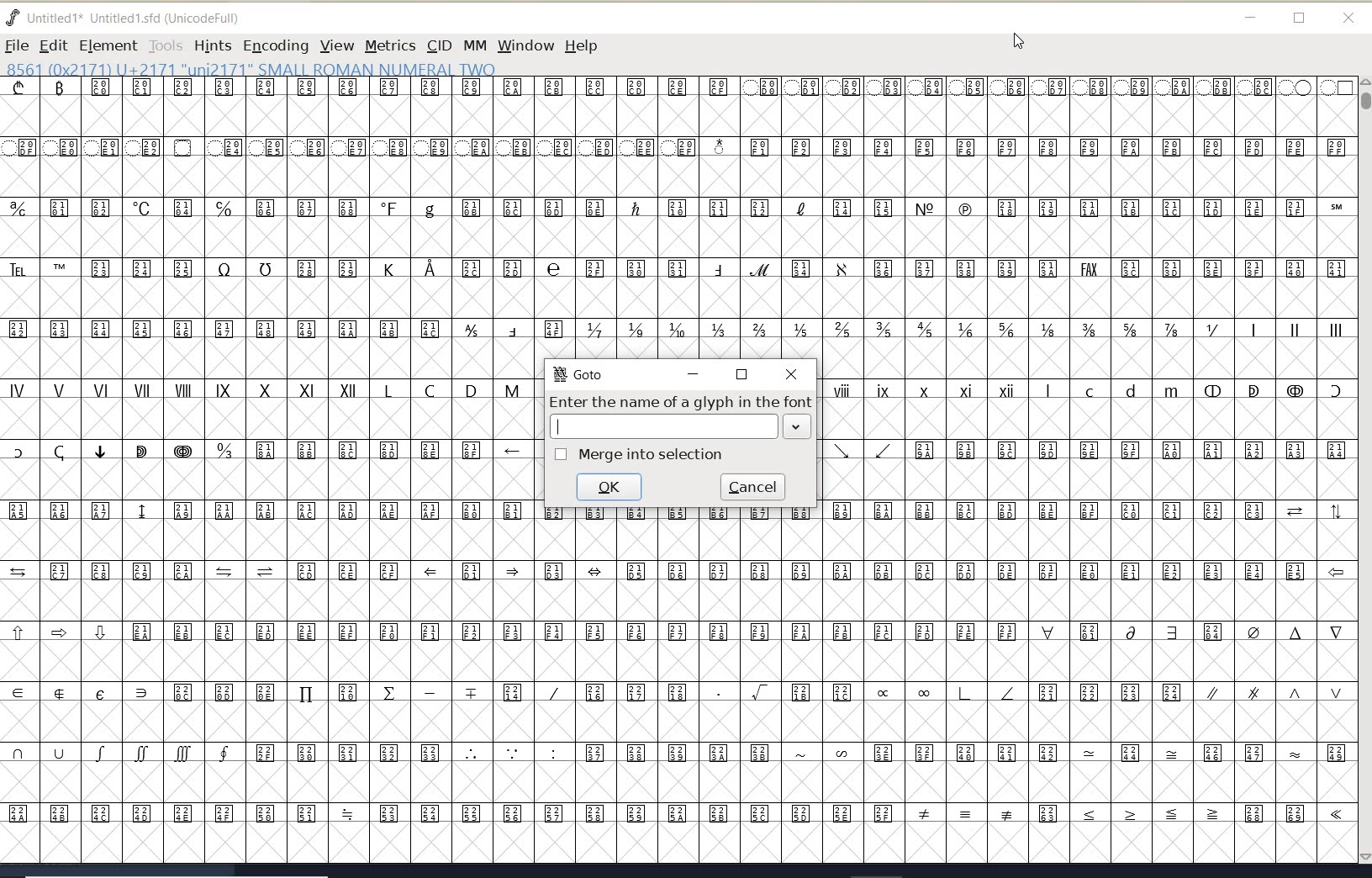 This screenshot has width=1372, height=878. Describe the element at coordinates (108, 45) in the screenshot. I see `ELEMENT` at that location.